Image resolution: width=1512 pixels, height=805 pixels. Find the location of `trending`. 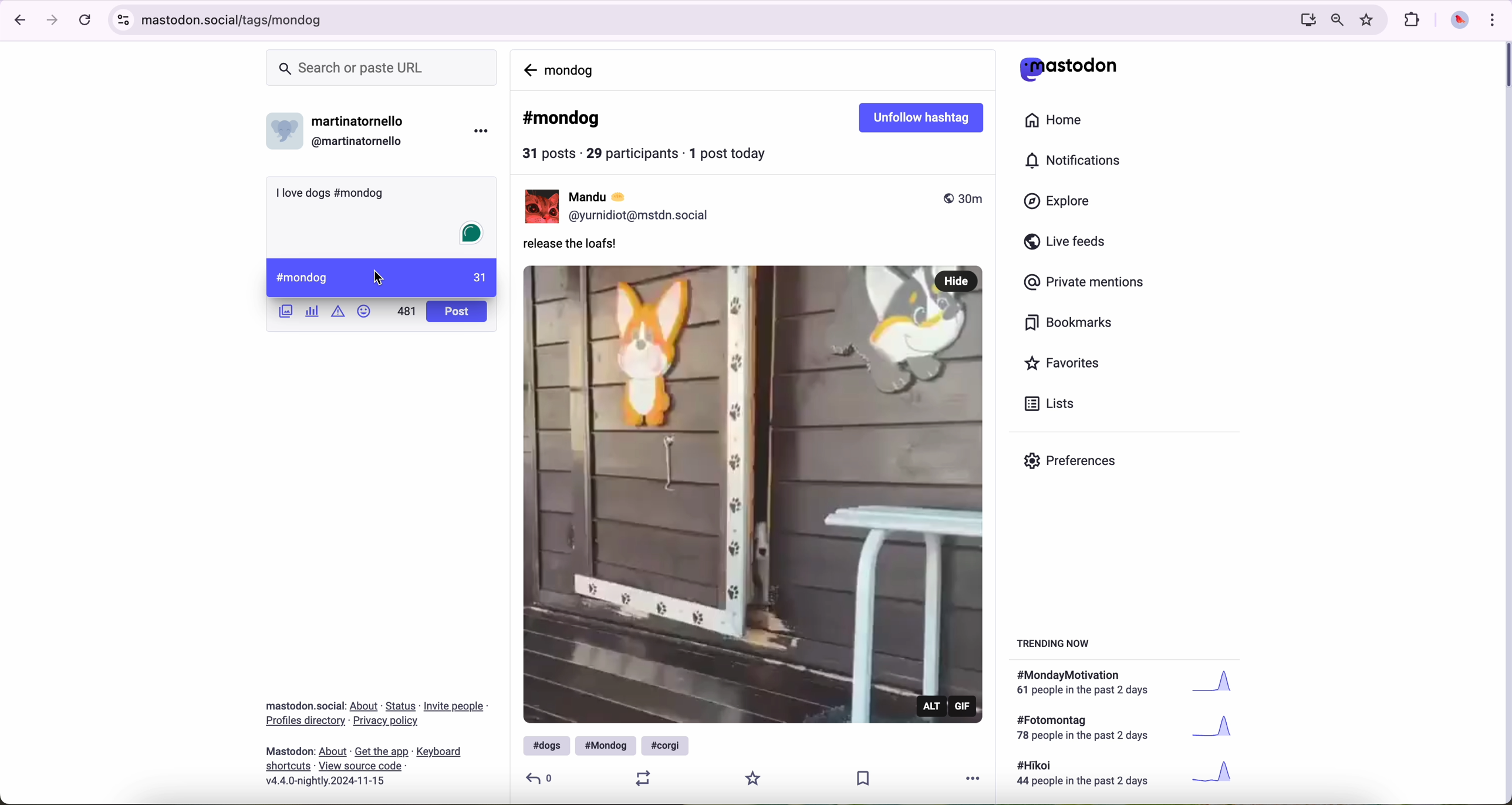

trending is located at coordinates (1057, 646).